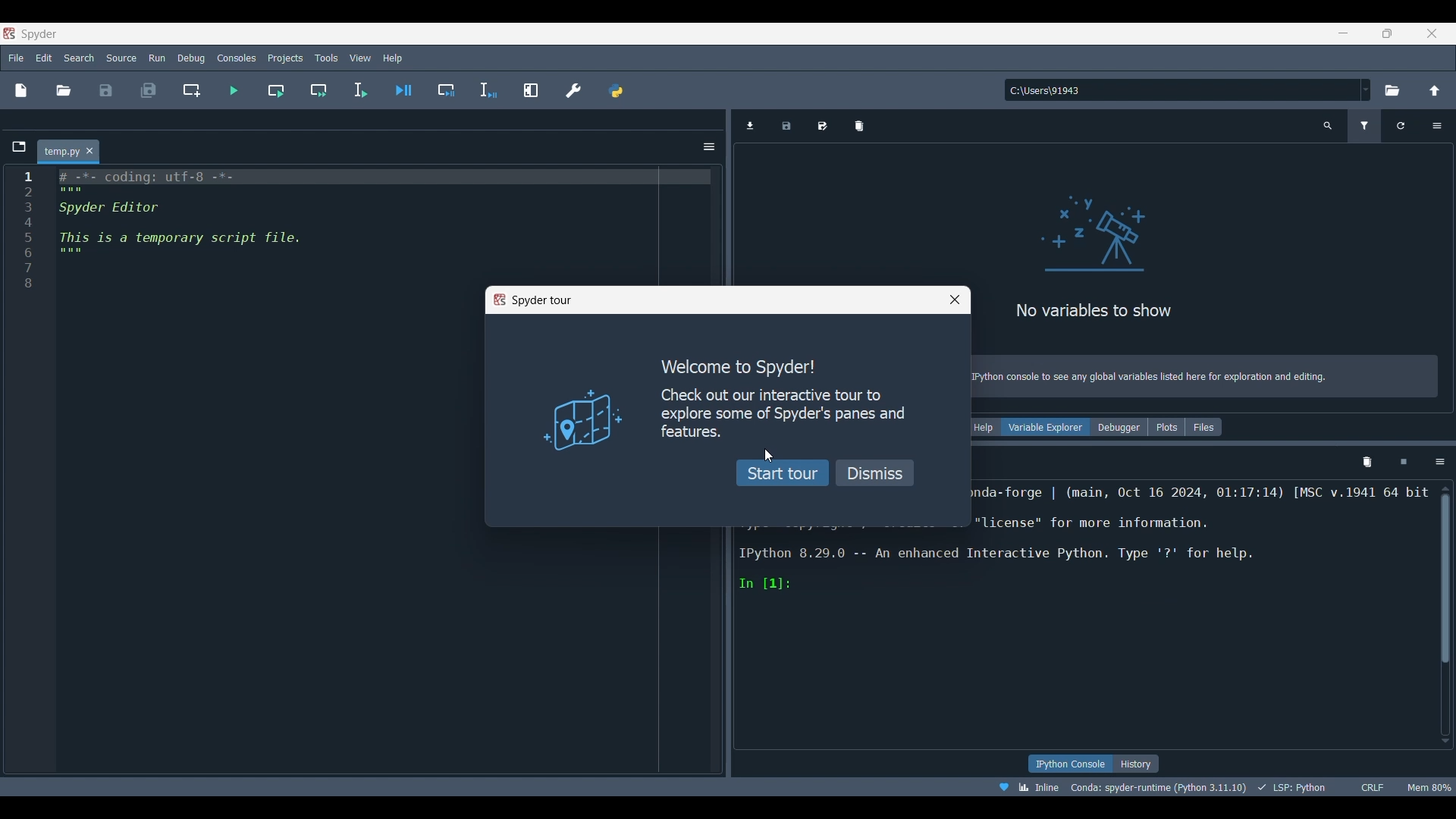 The width and height of the screenshot is (1456, 819). I want to click on text, so click(1148, 377).